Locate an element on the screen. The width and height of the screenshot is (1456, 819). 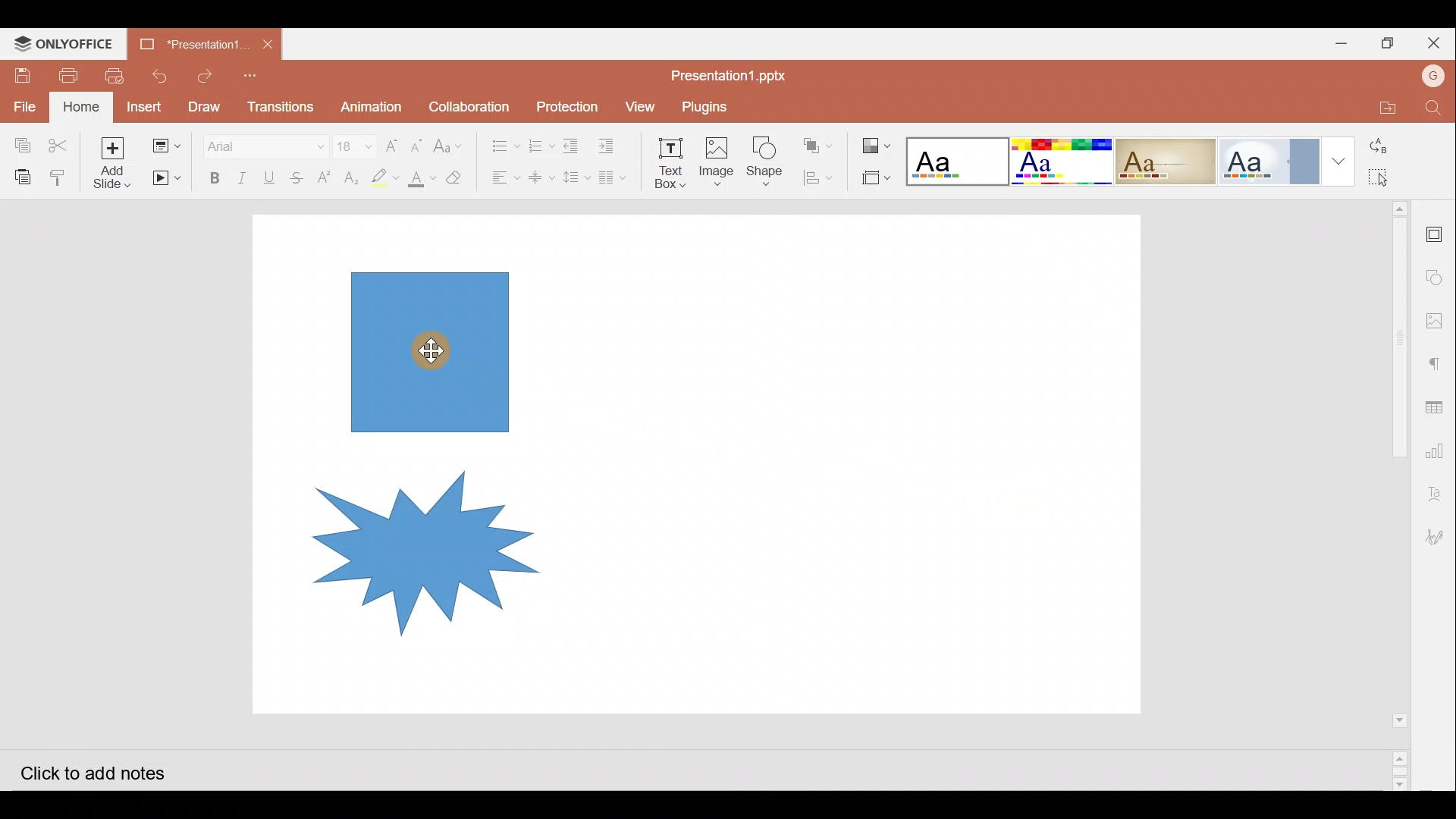
Insert is located at coordinates (146, 108).